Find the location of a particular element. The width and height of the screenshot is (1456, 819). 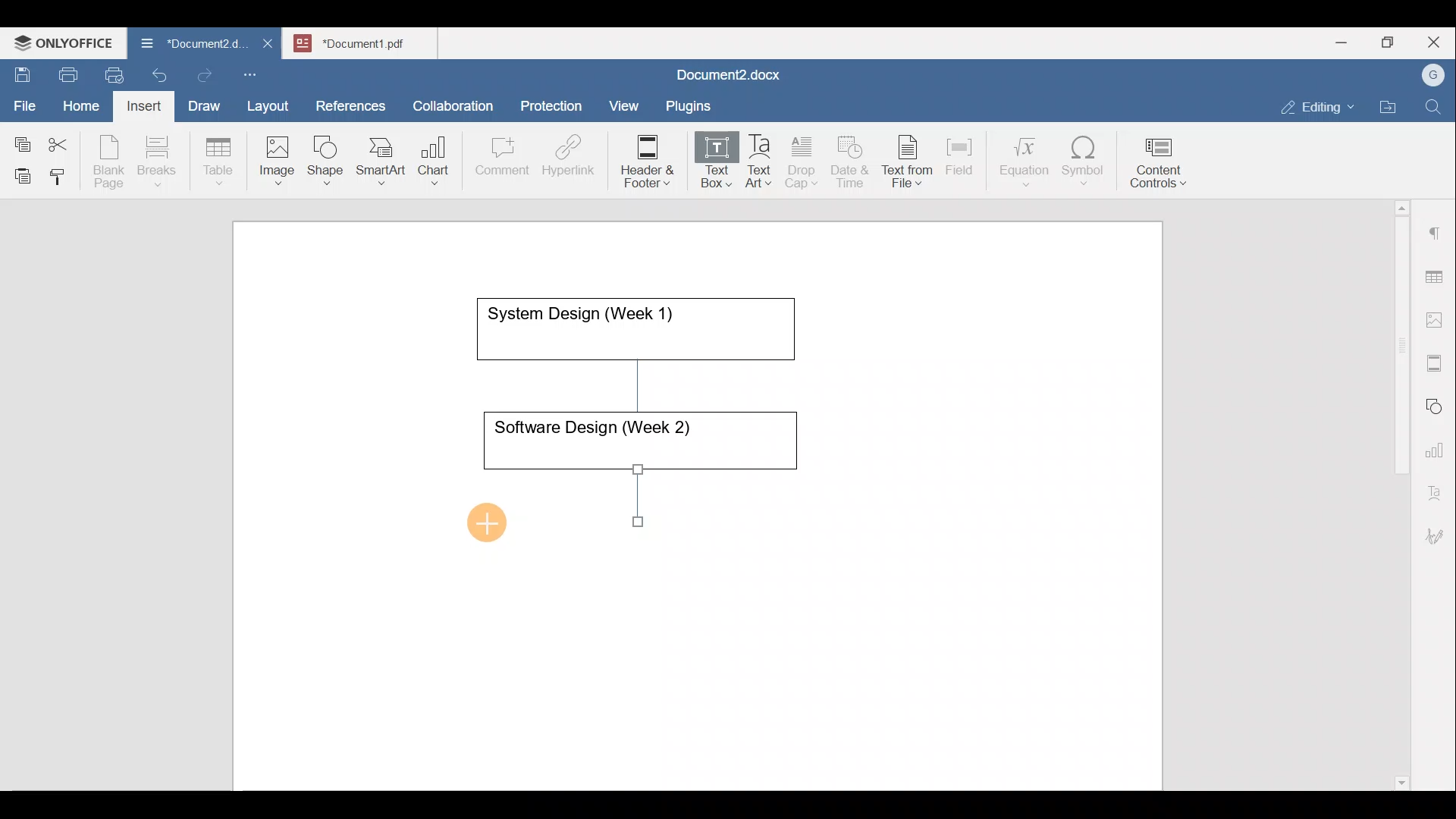

Draw is located at coordinates (202, 102).